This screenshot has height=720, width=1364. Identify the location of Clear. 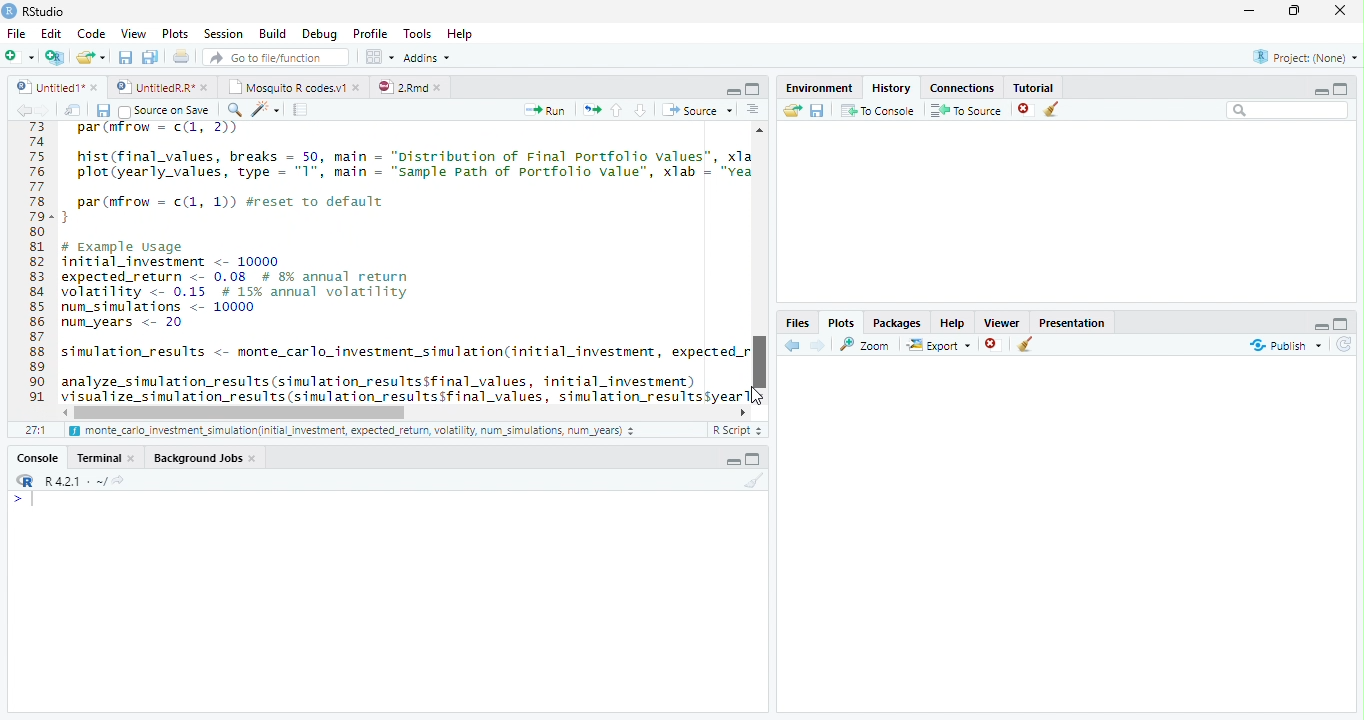
(751, 481).